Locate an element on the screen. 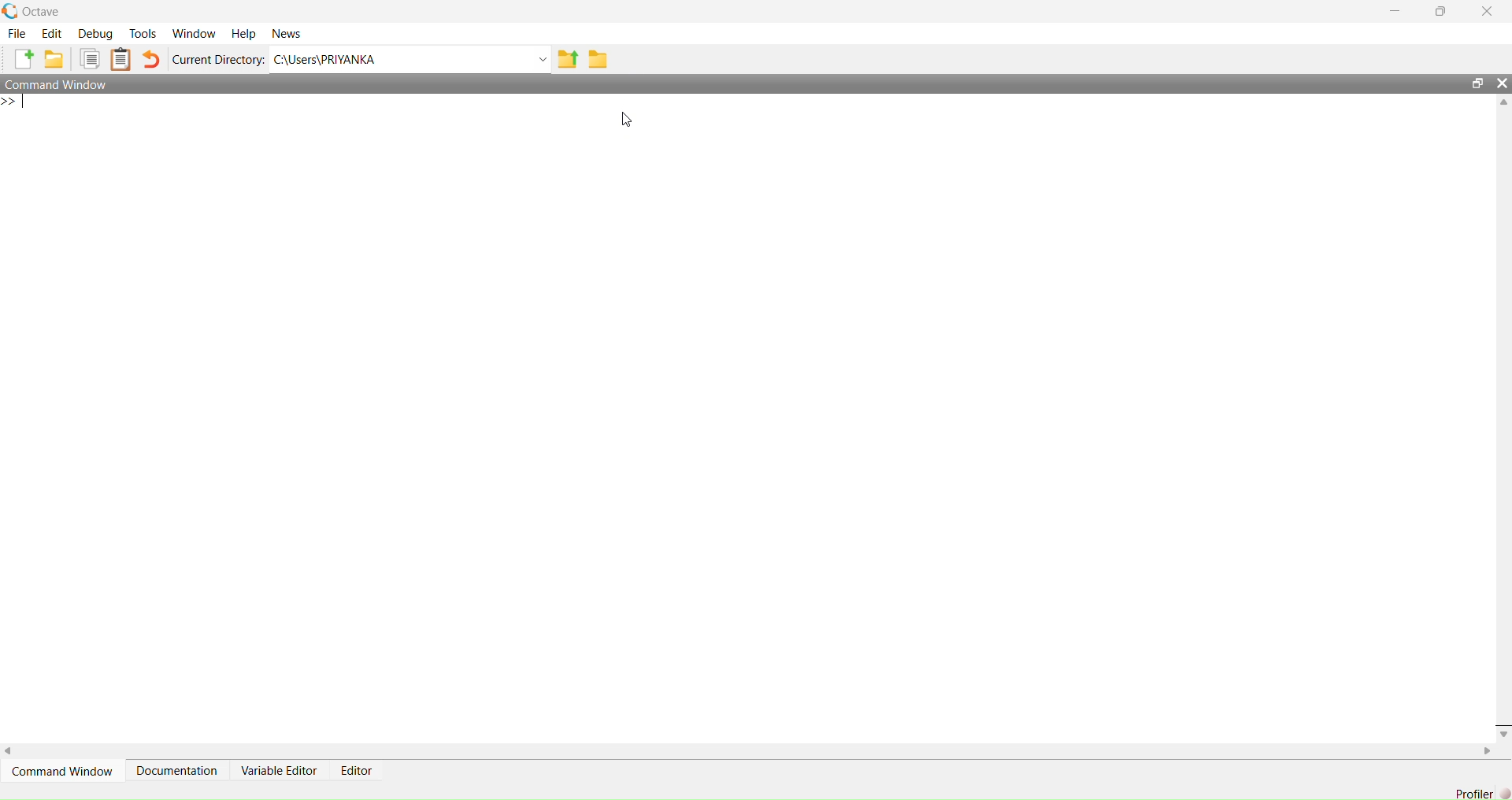  Edit is located at coordinates (53, 35).